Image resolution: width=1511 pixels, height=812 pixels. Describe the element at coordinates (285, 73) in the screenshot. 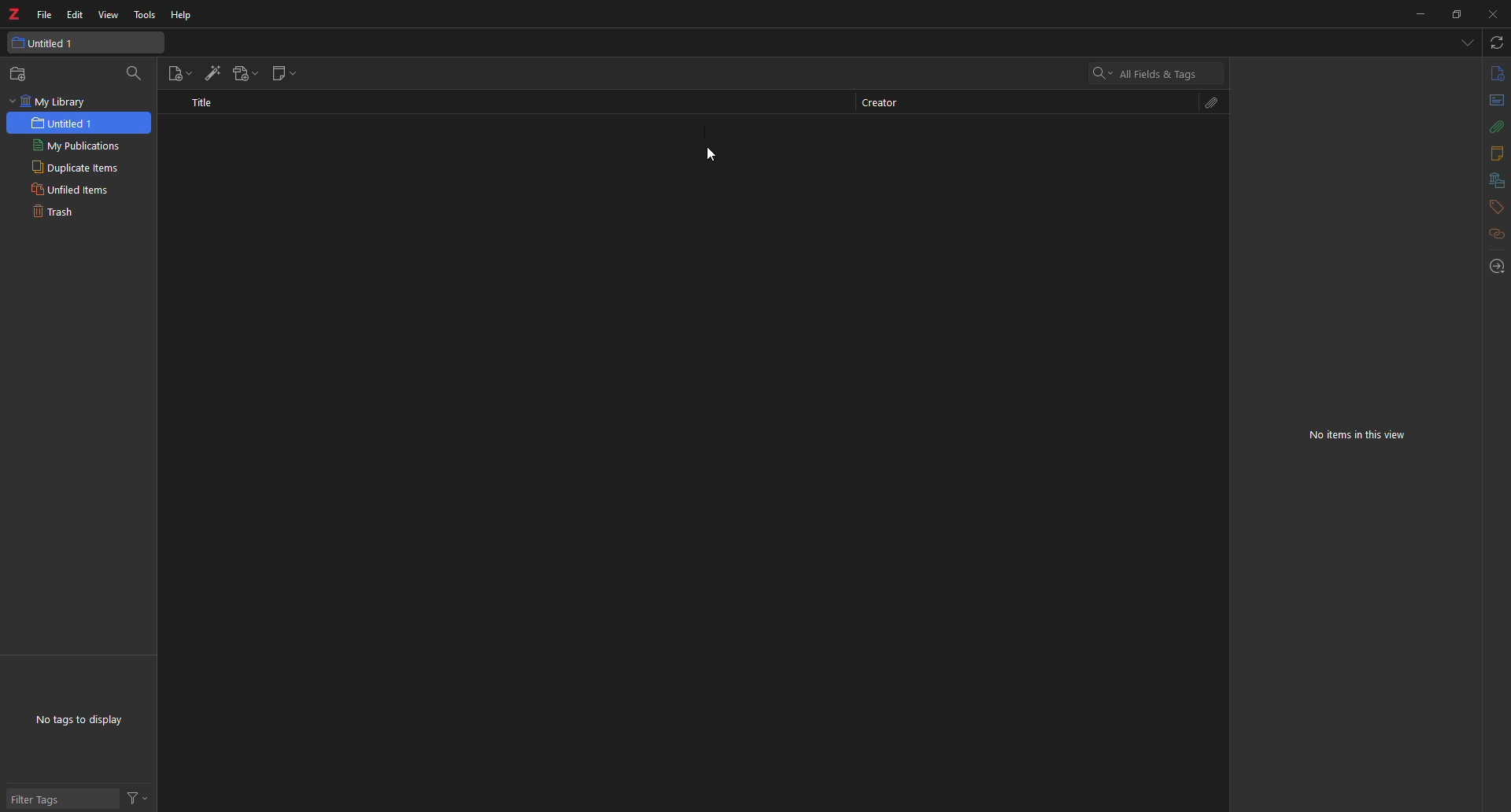

I see `new note` at that location.